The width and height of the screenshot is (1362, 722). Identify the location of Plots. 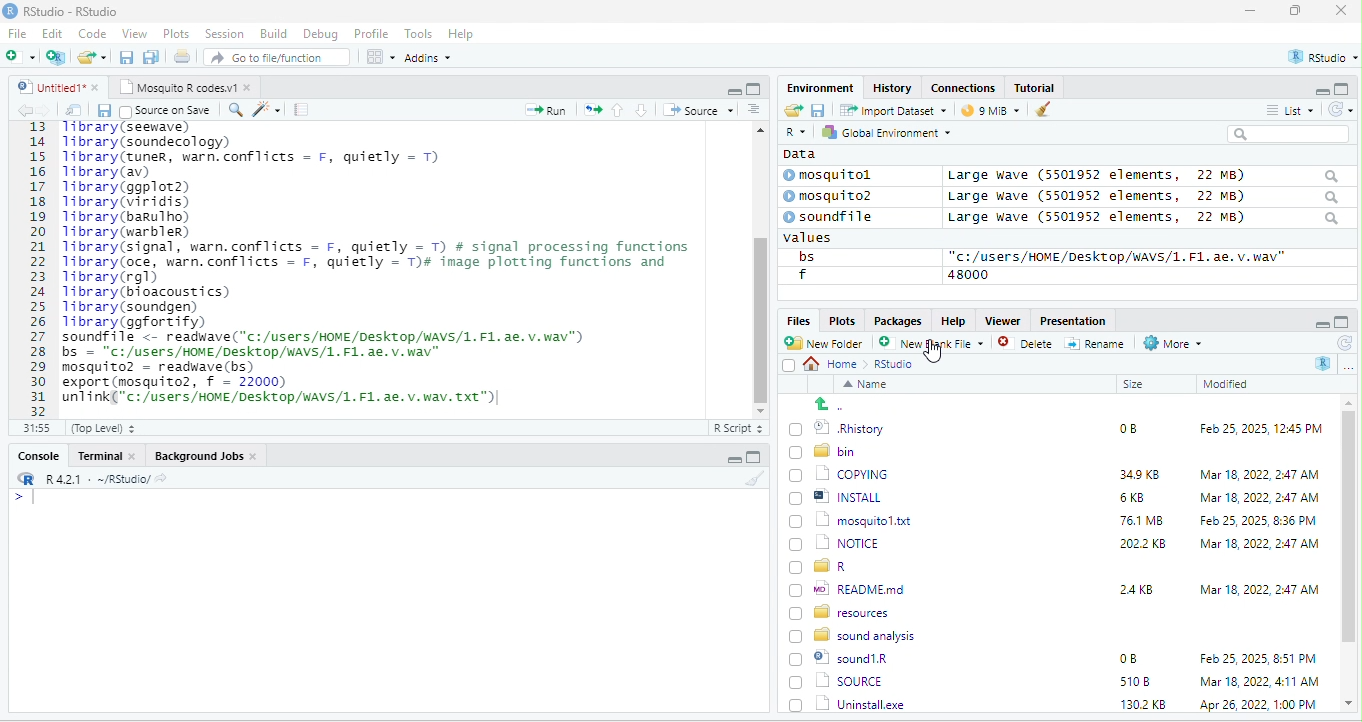
(842, 320).